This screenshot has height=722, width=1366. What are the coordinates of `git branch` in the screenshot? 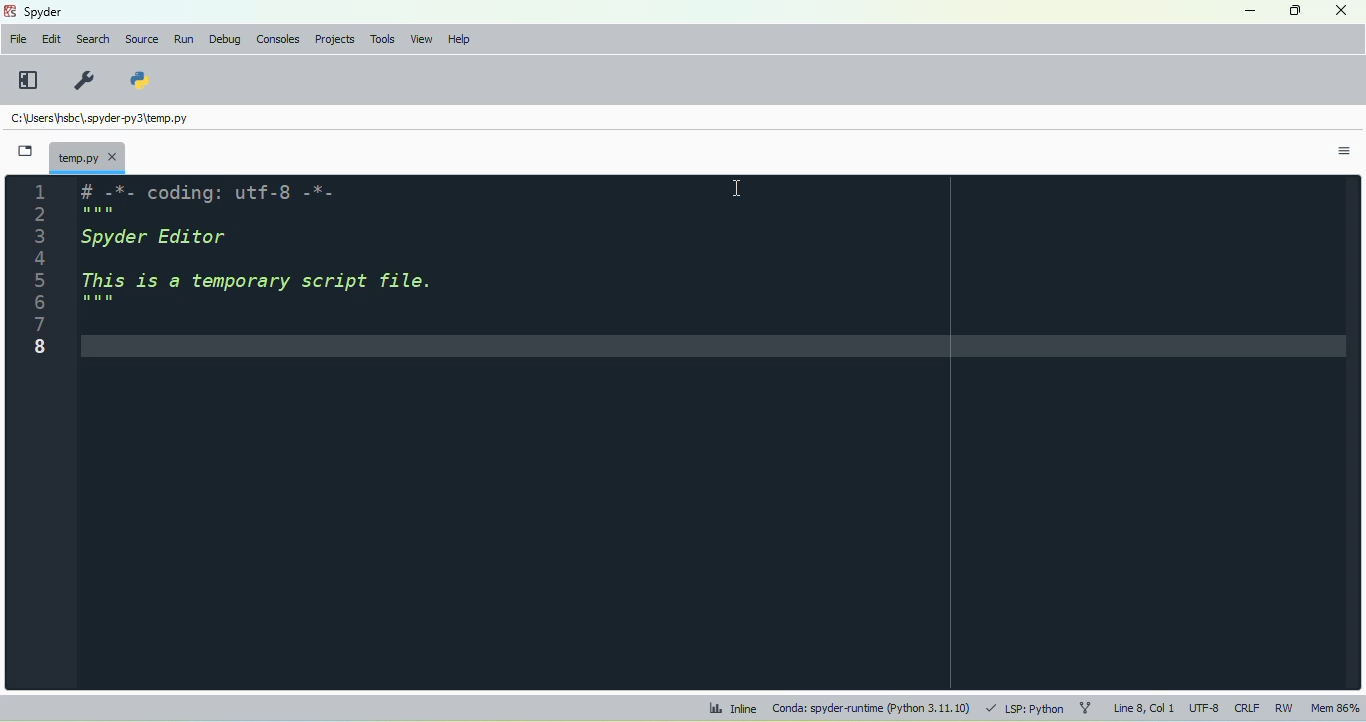 It's located at (1086, 709).